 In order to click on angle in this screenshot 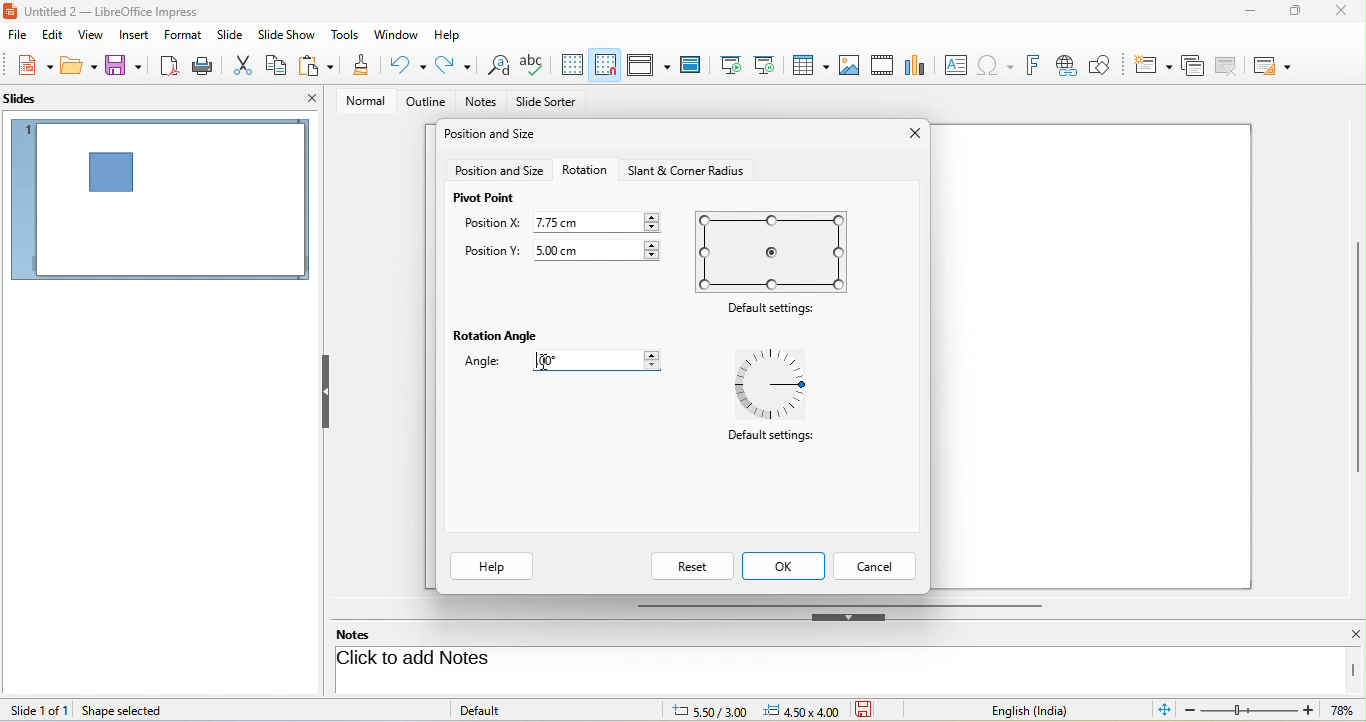, I will do `click(489, 364)`.